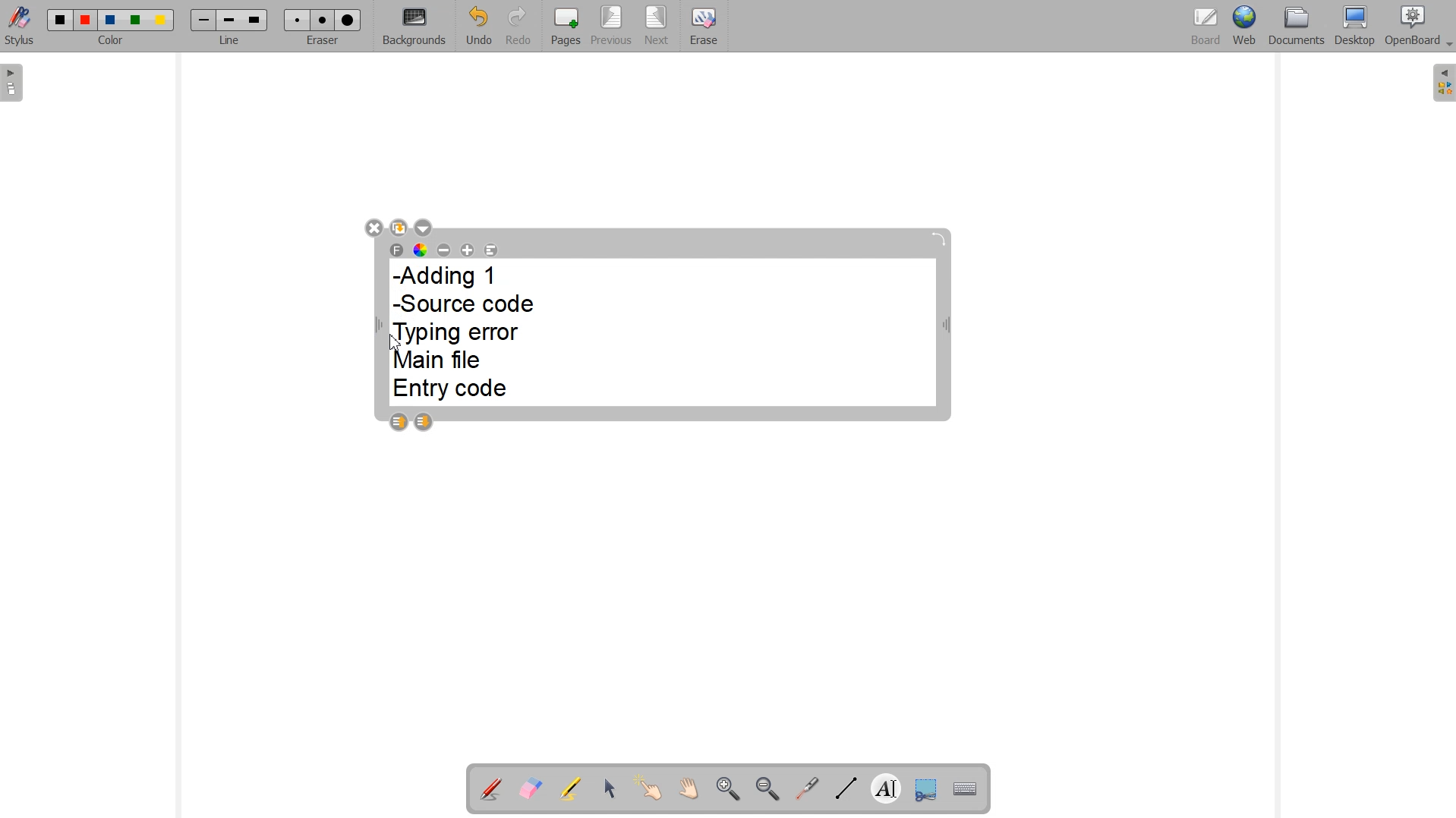 This screenshot has width=1456, height=818. I want to click on Scroll page, so click(689, 790).